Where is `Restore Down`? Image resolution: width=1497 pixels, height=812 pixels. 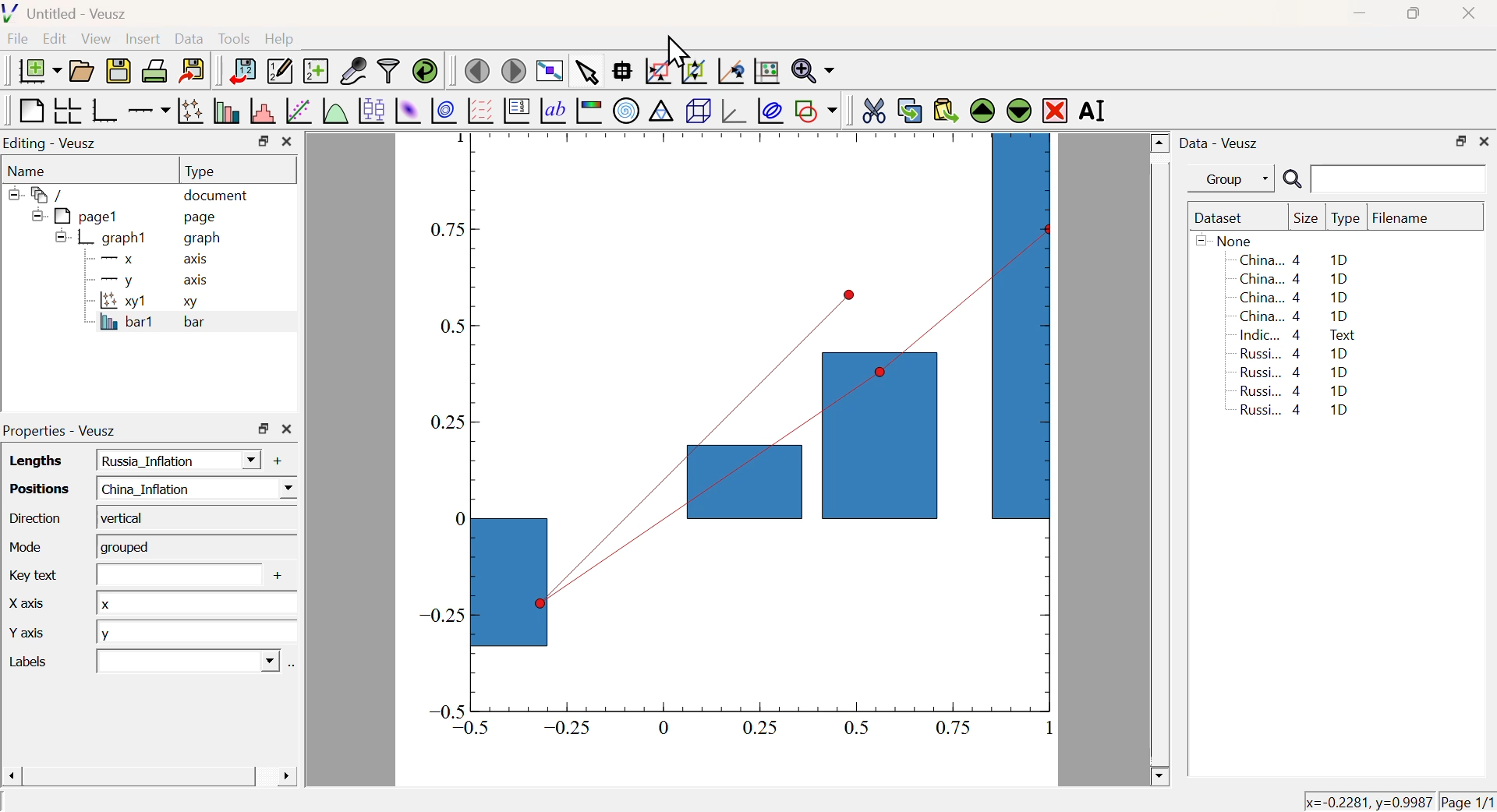
Restore Down is located at coordinates (1460, 142).